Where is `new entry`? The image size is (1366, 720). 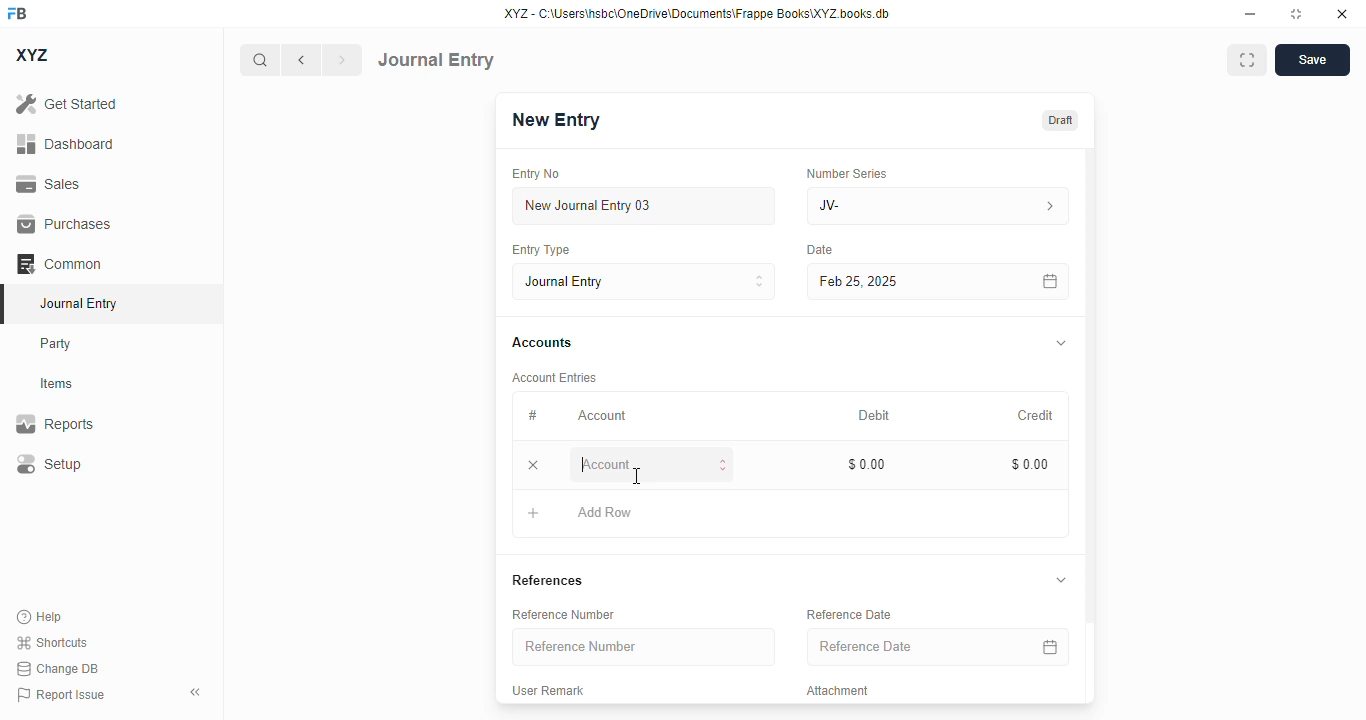
new entry is located at coordinates (554, 120).